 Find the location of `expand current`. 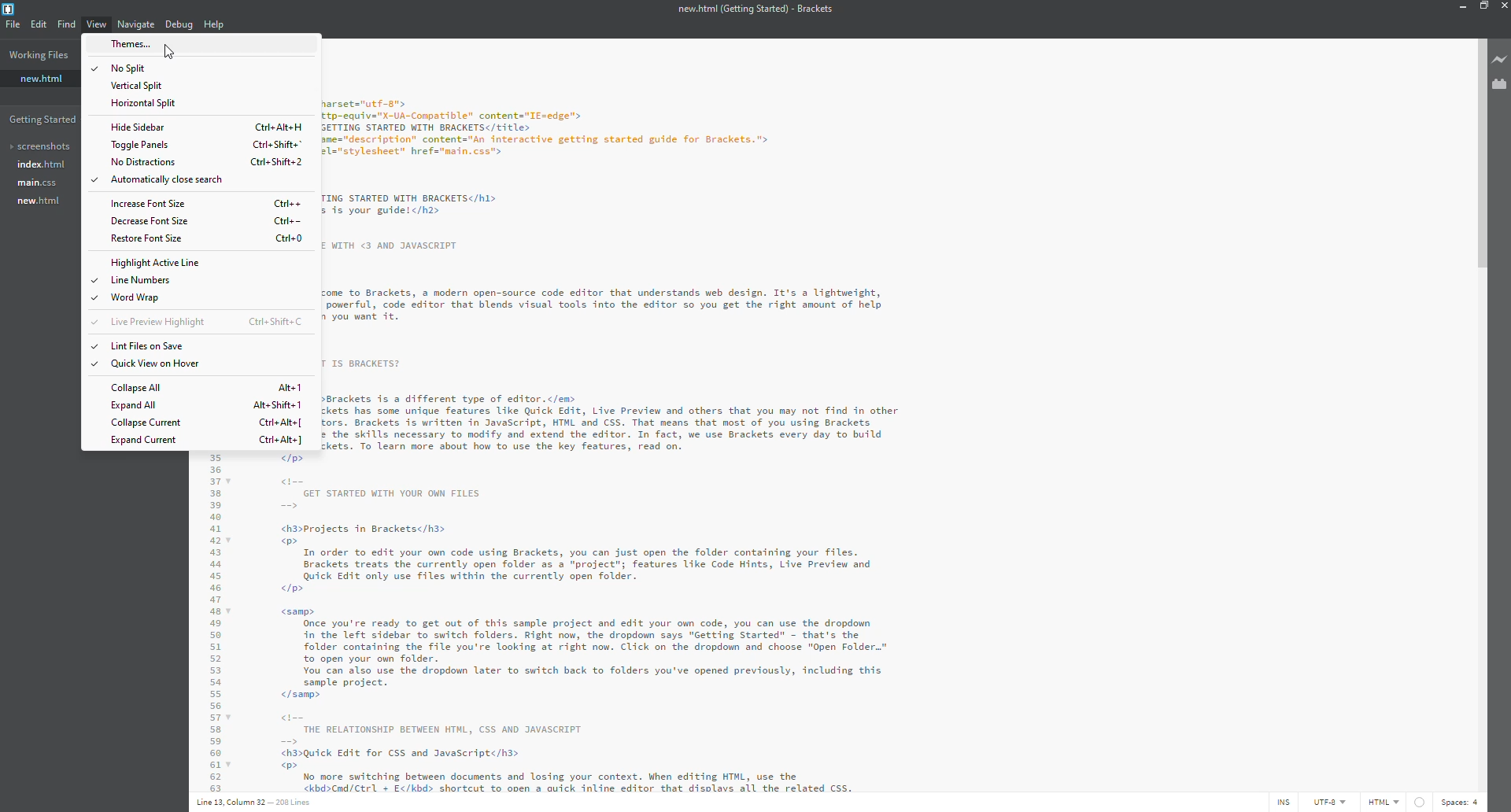

expand current is located at coordinates (146, 440).